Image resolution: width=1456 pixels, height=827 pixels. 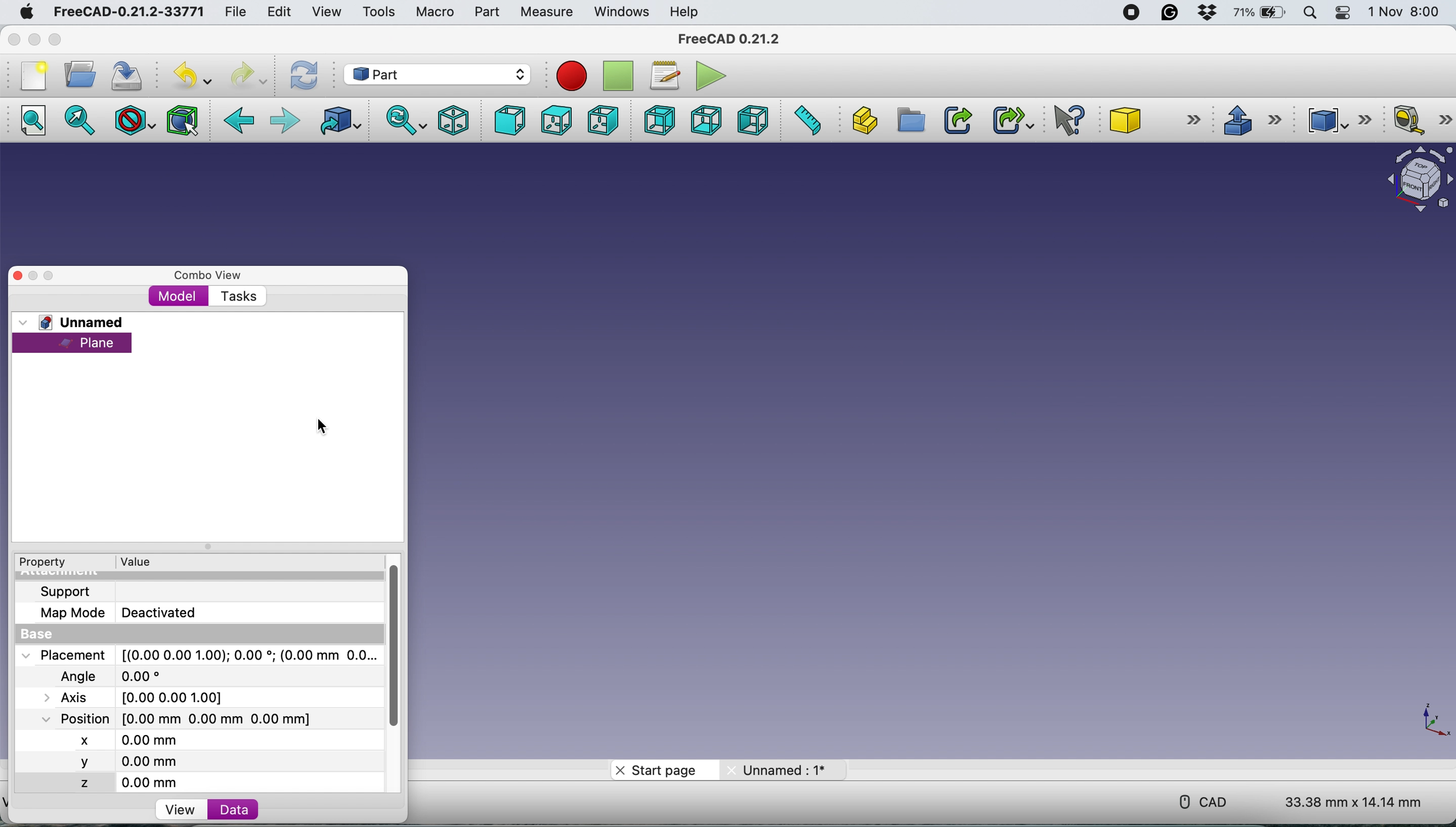 I want to click on measure, so click(x=550, y=11).